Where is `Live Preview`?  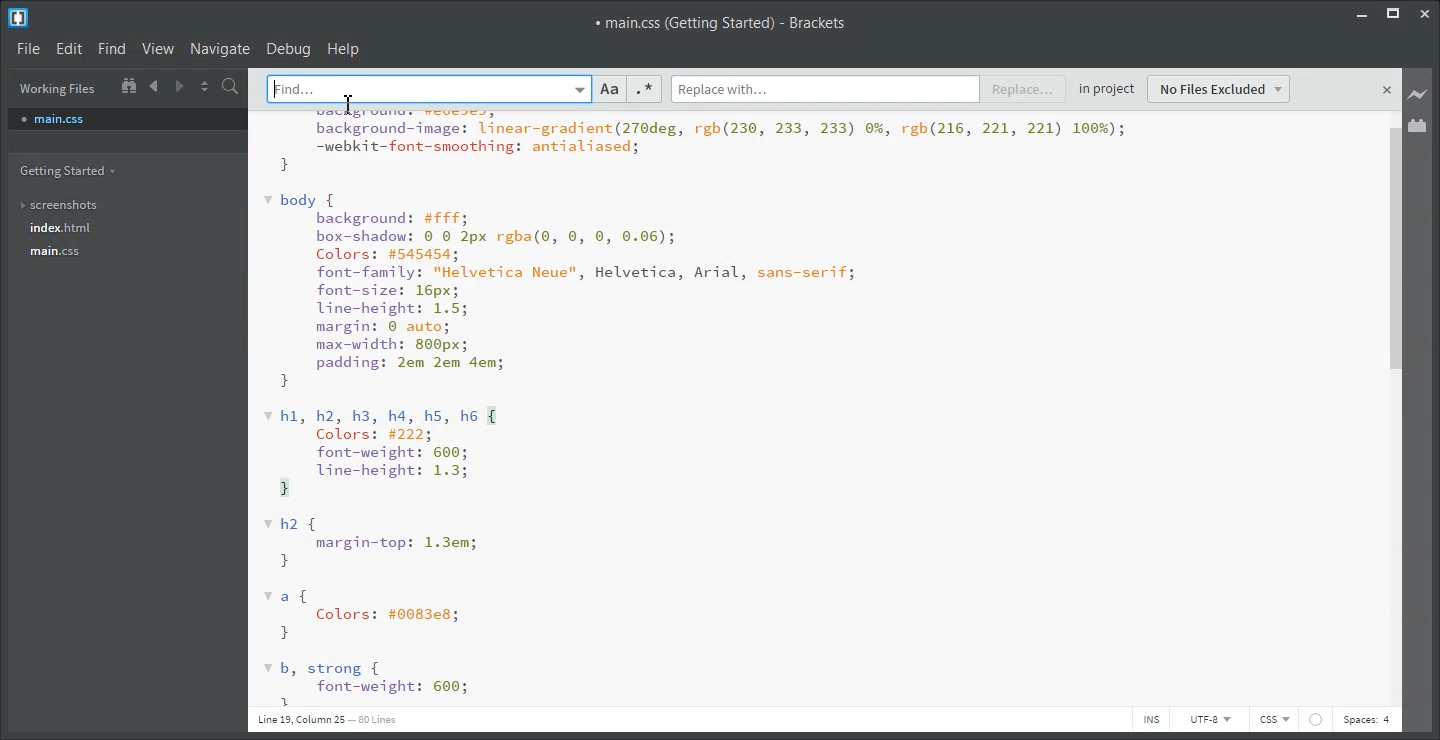 Live Preview is located at coordinates (1418, 95).